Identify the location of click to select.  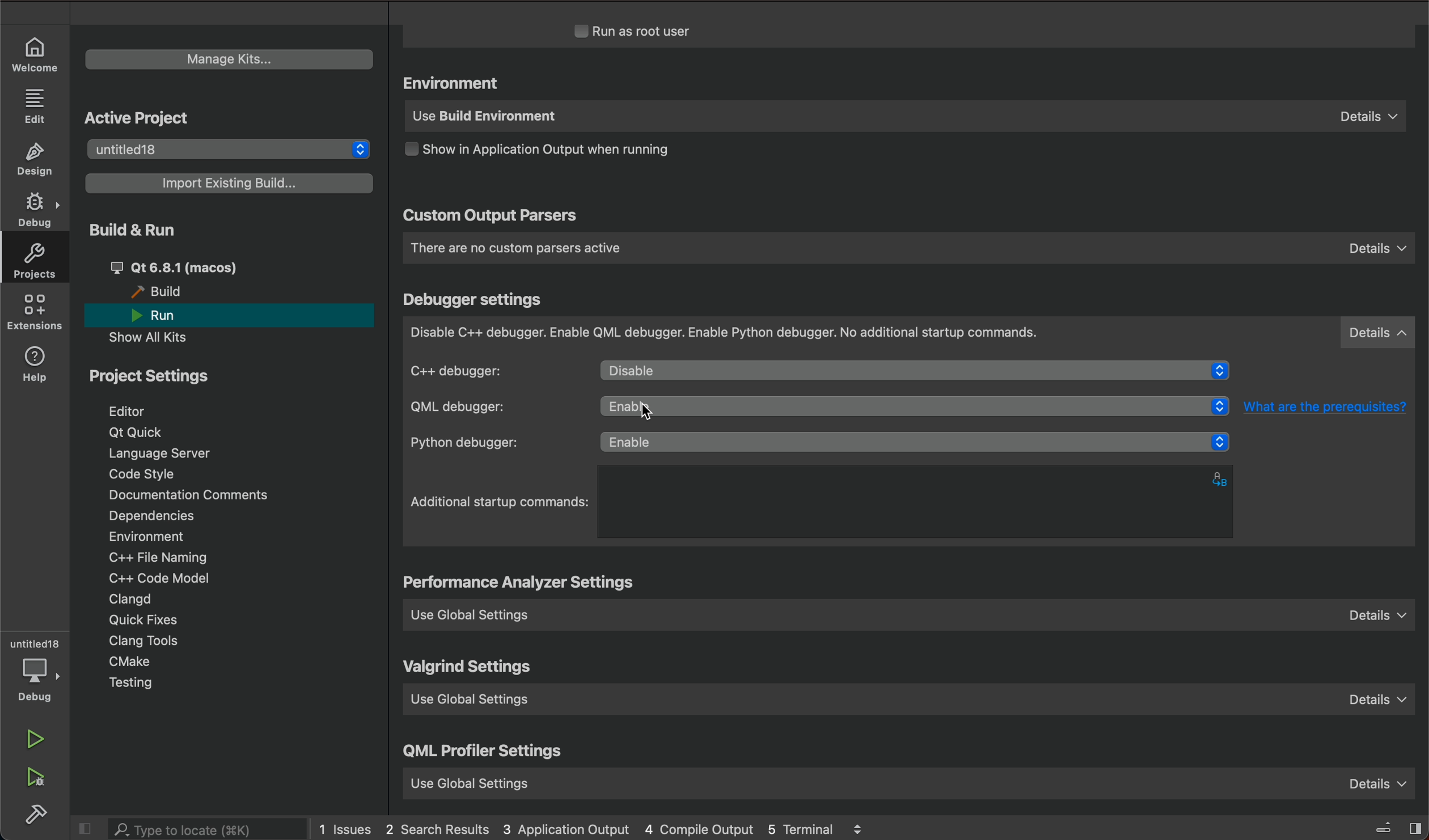
(914, 407).